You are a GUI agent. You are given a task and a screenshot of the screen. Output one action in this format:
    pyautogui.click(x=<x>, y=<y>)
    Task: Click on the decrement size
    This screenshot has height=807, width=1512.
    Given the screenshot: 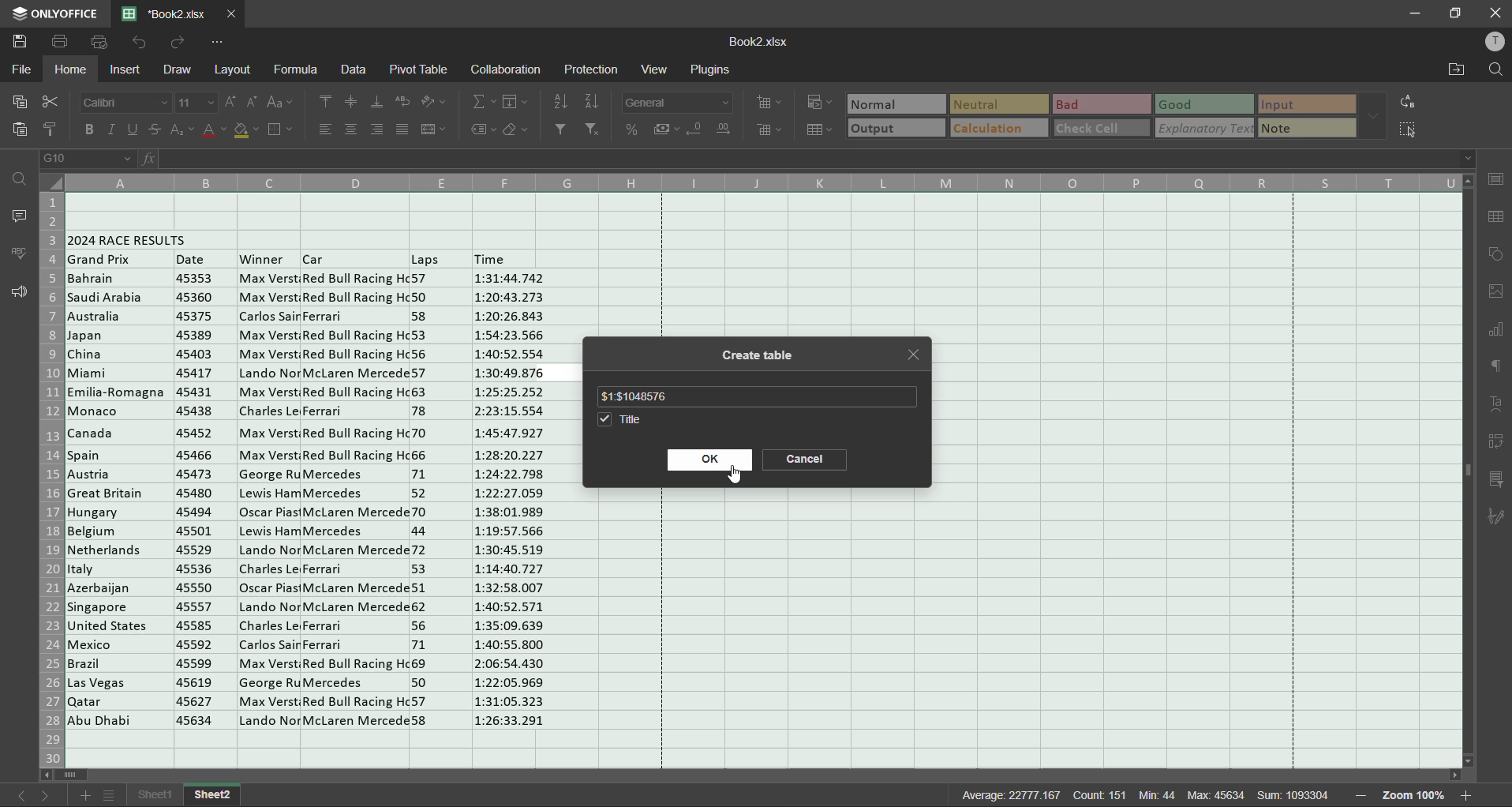 What is the action you would take?
    pyautogui.click(x=253, y=103)
    